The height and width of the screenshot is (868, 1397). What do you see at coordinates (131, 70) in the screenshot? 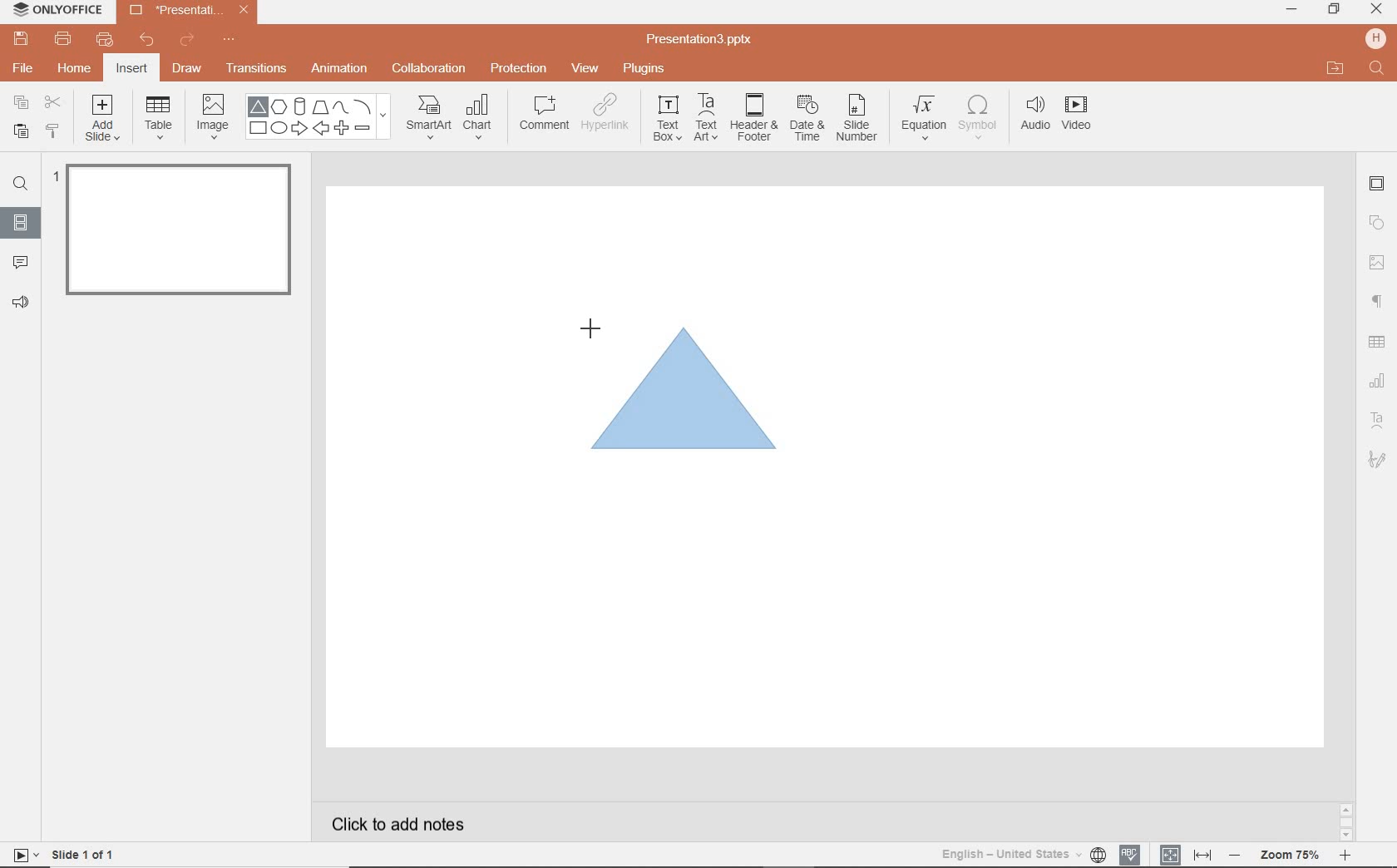
I see `INSERT` at bounding box center [131, 70].